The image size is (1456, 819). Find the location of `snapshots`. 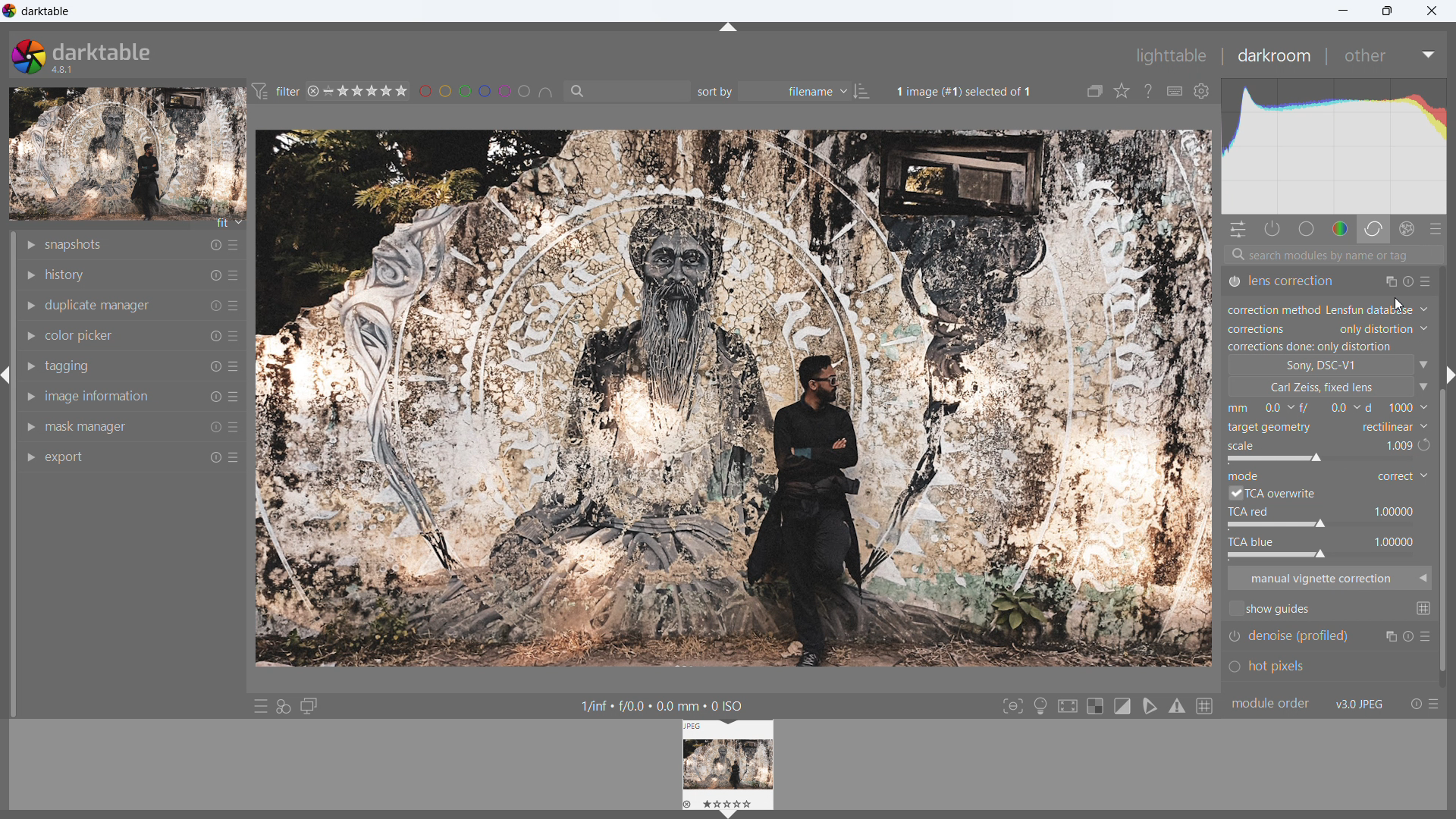

snapshots is located at coordinates (74, 245).